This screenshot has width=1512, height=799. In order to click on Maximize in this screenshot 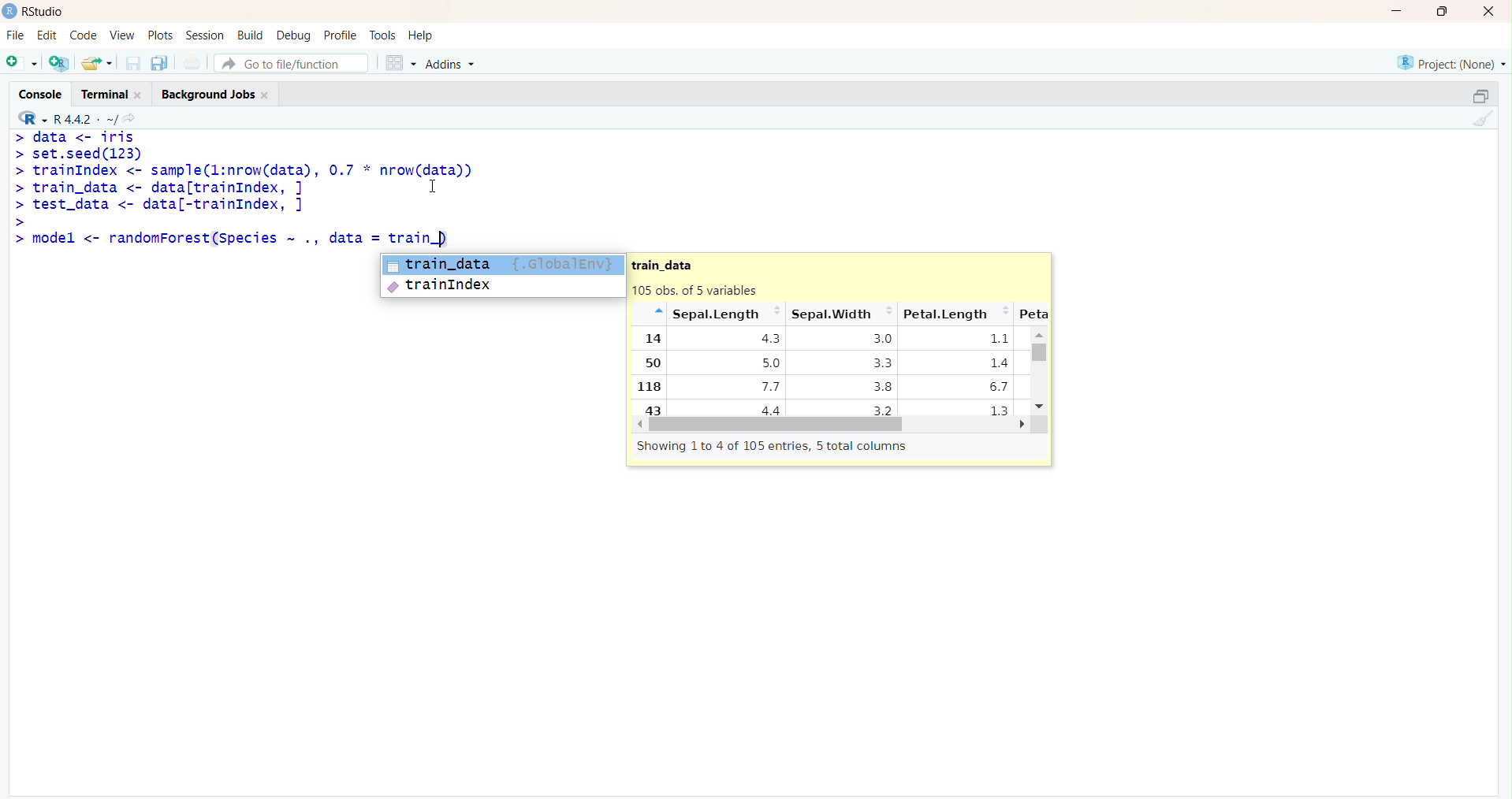, I will do `click(1441, 12)`.